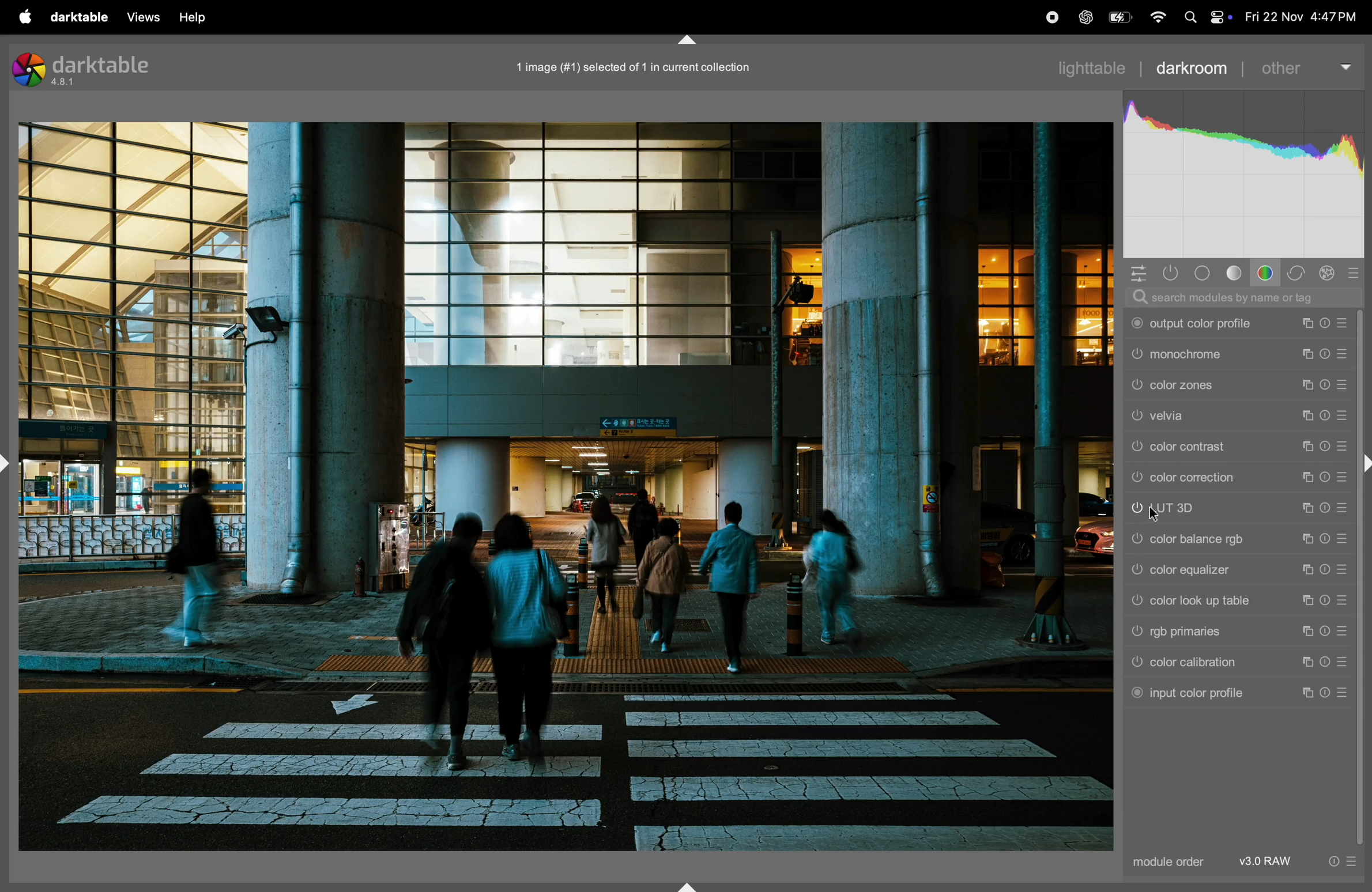 The width and height of the screenshot is (1372, 892). What do you see at coordinates (1136, 417) in the screenshot?
I see `velvia switched off` at bounding box center [1136, 417].